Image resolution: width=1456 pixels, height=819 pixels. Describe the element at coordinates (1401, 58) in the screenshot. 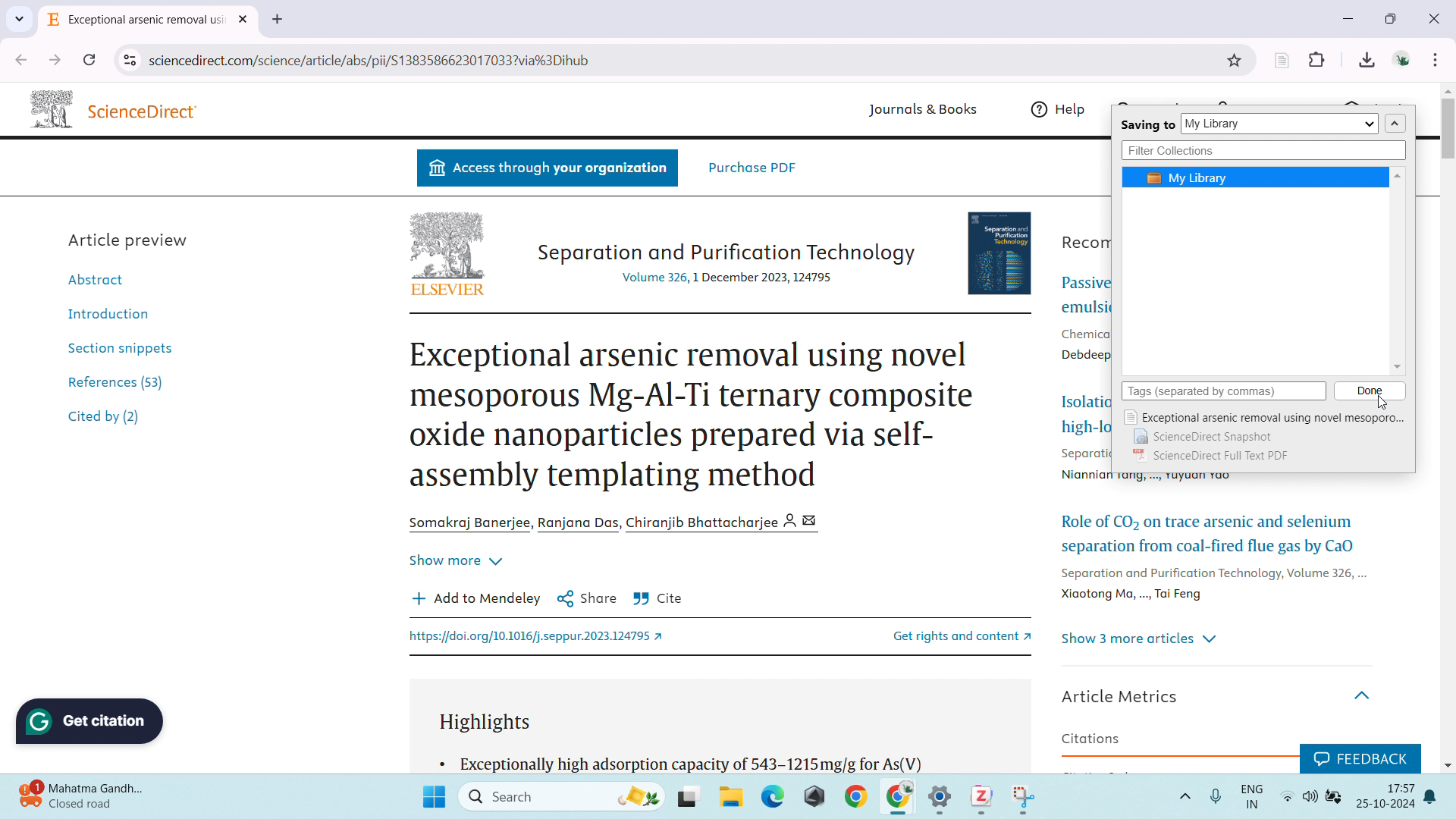

I see `account` at that location.